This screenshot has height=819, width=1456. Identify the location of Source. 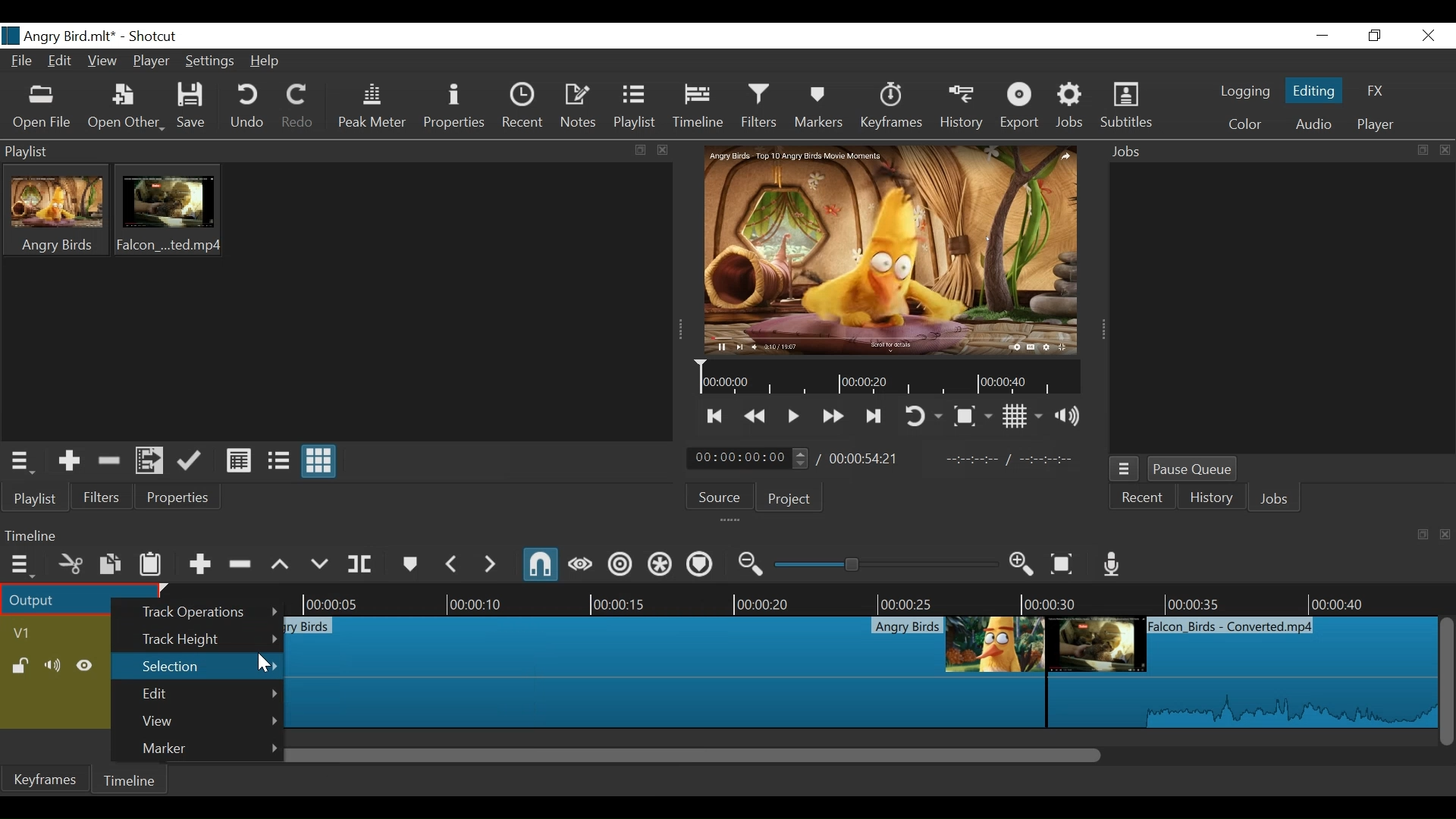
(718, 498).